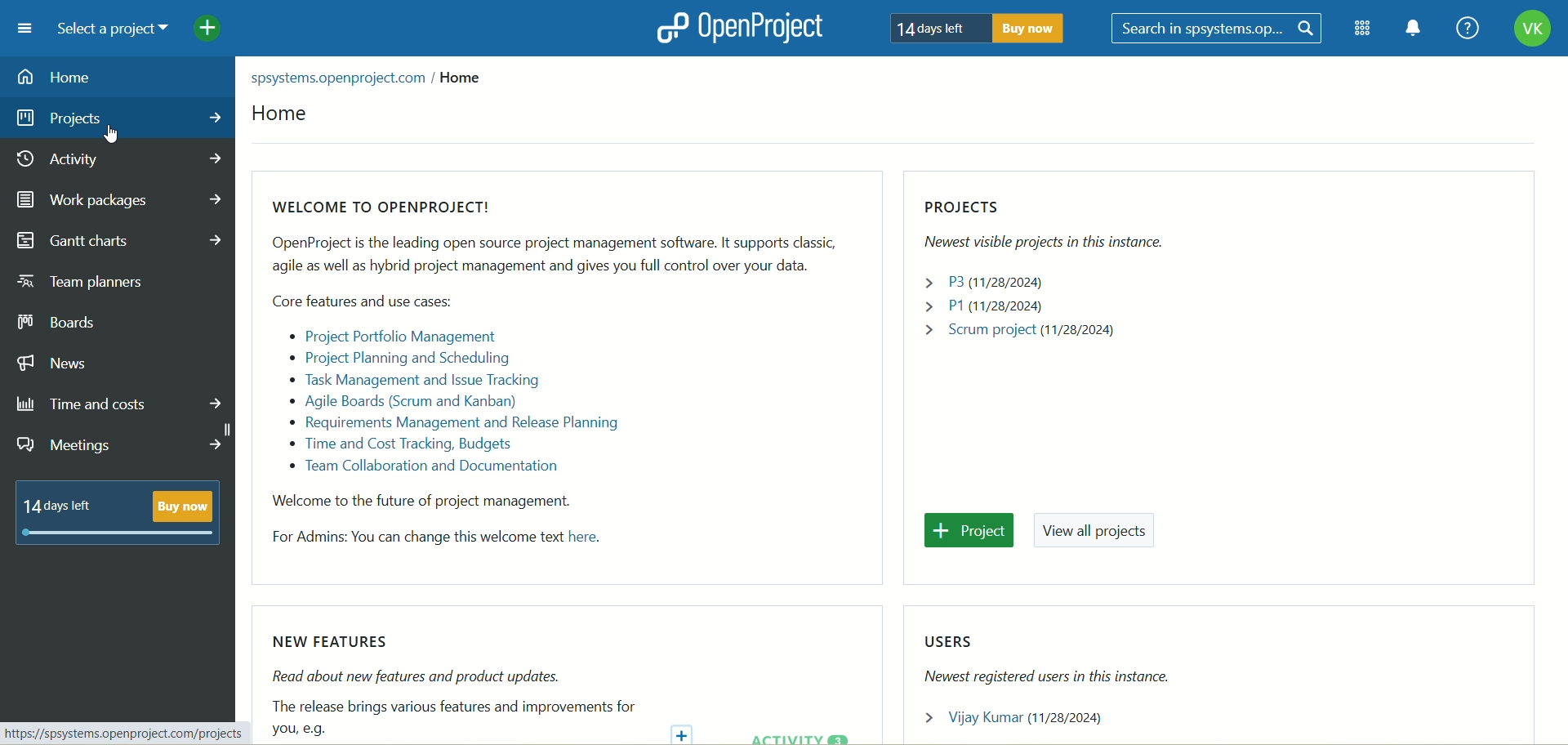  I want to click on projects, so click(959, 204).